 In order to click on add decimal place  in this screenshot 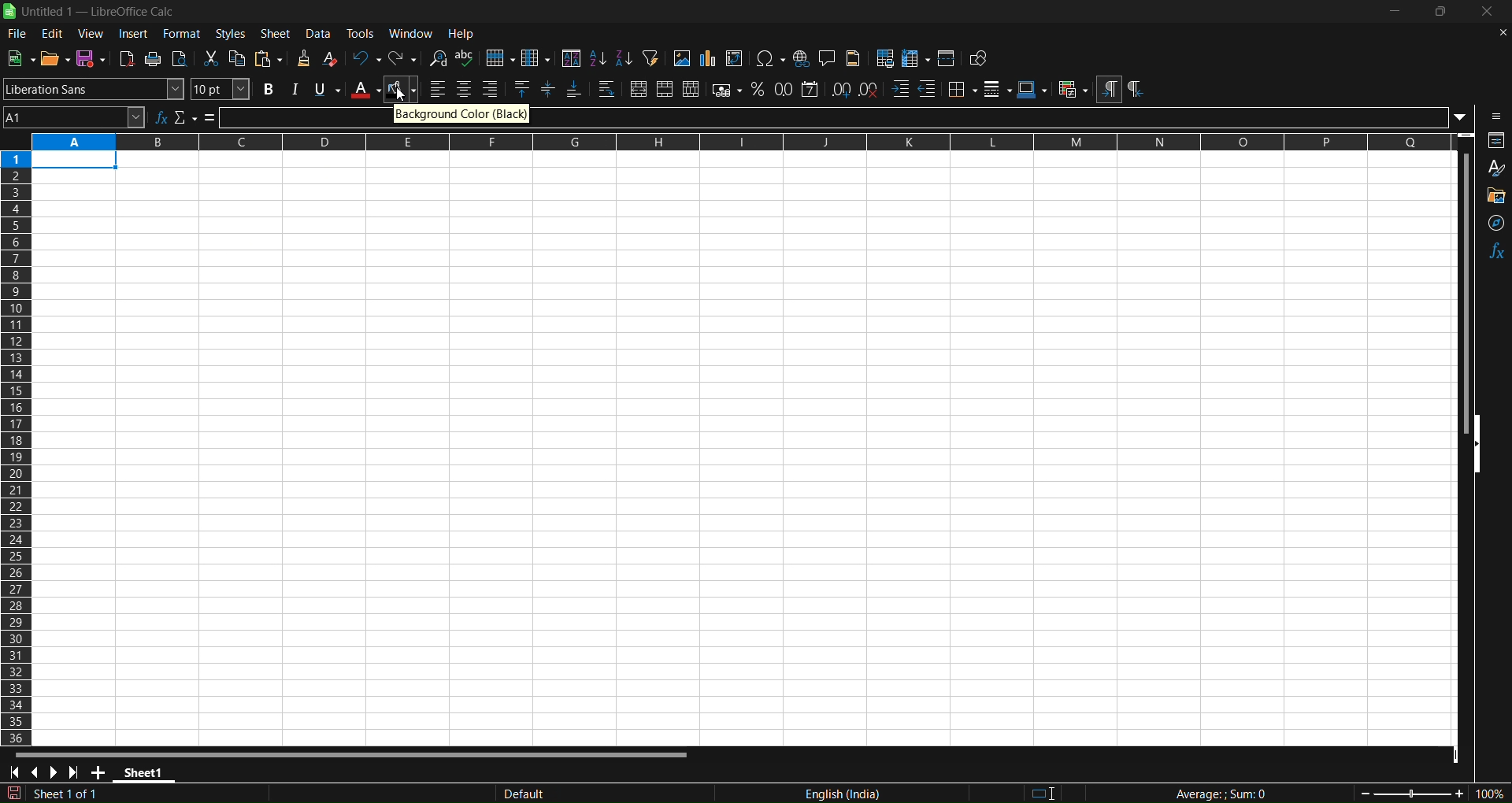, I will do `click(839, 91)`.